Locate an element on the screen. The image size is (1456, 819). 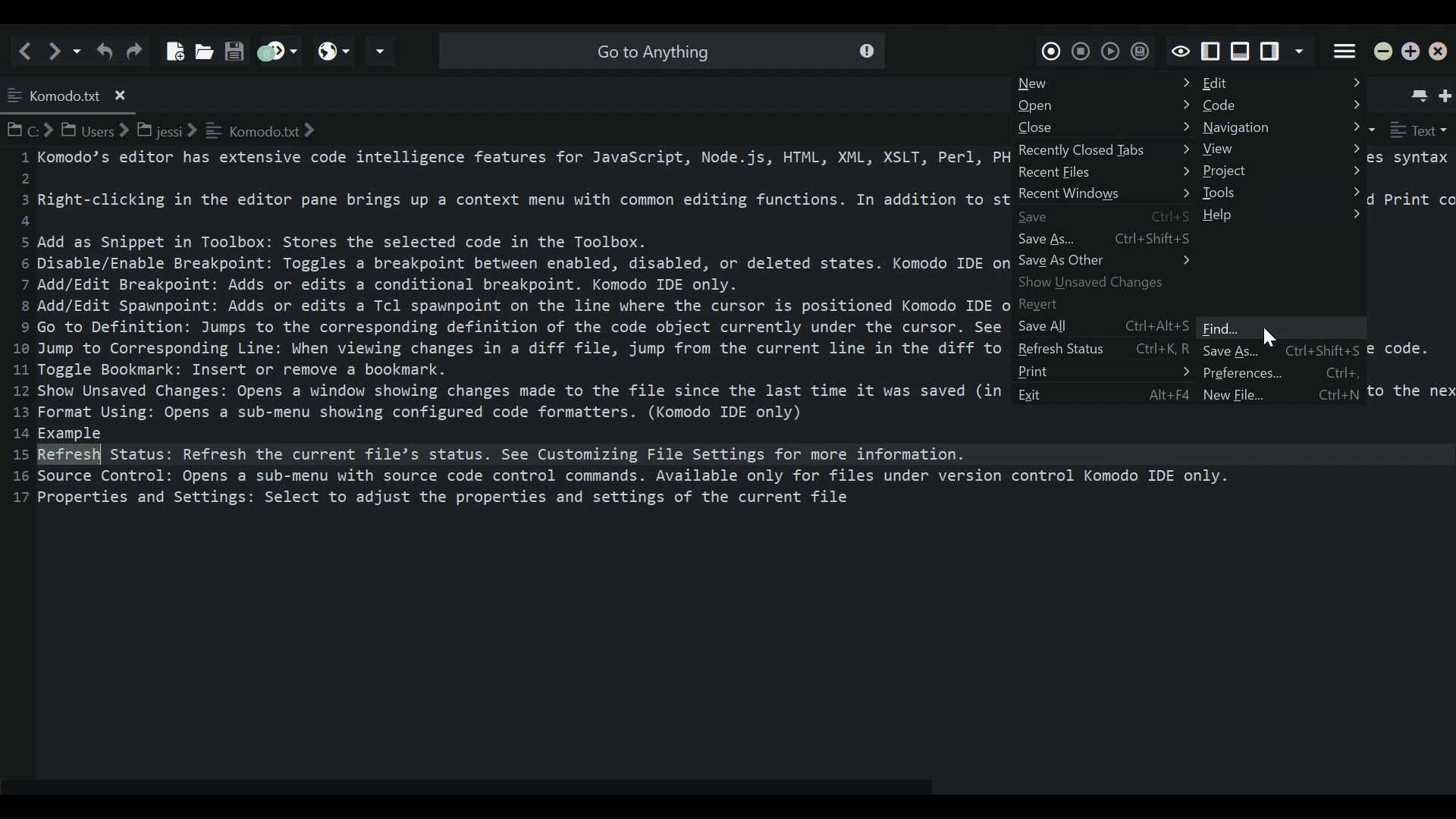
Search is located at coordinates (659, 50).